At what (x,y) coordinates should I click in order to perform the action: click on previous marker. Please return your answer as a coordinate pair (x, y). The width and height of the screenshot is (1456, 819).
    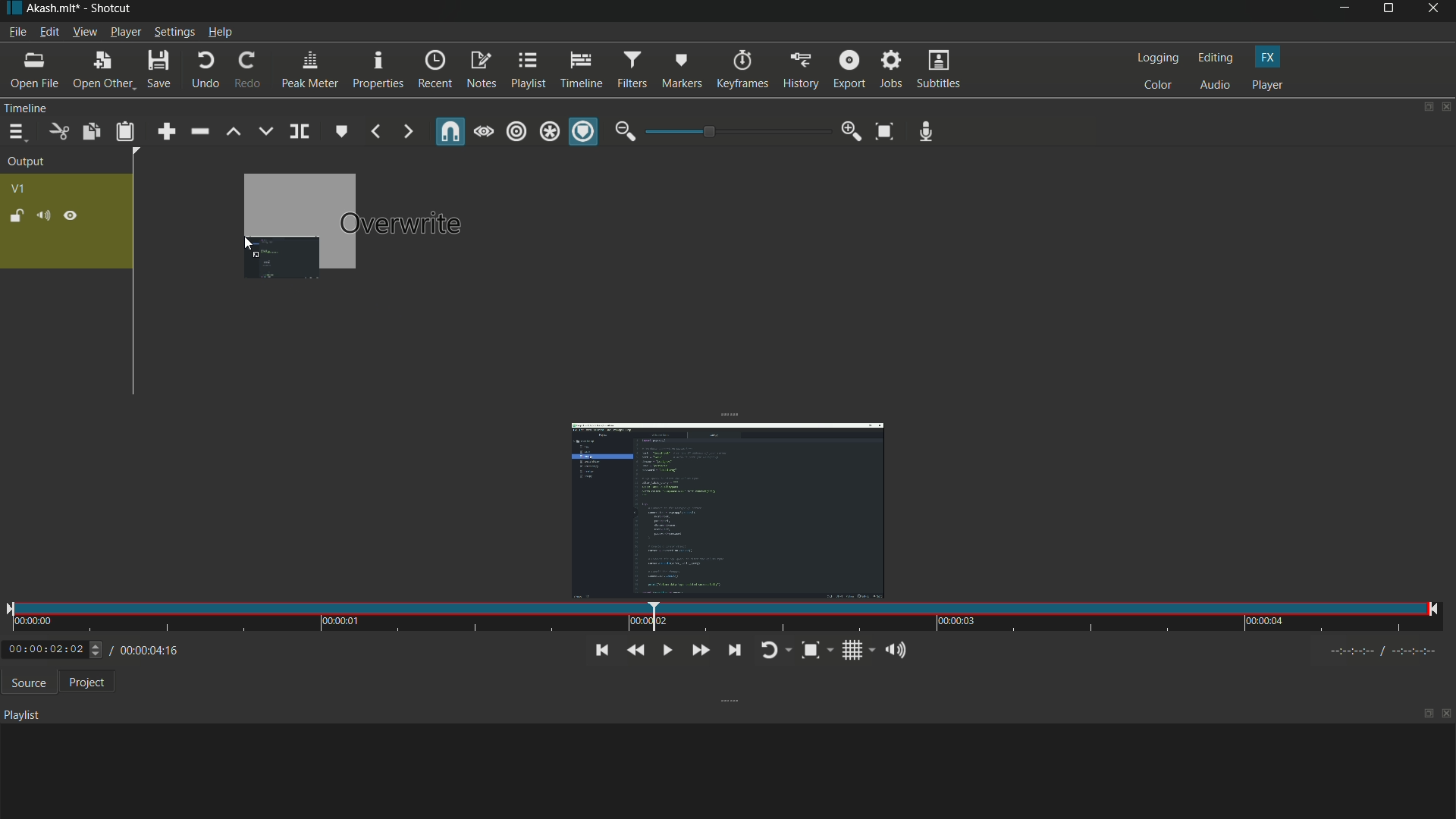
    Looking at the image, I should click on (376, 133).